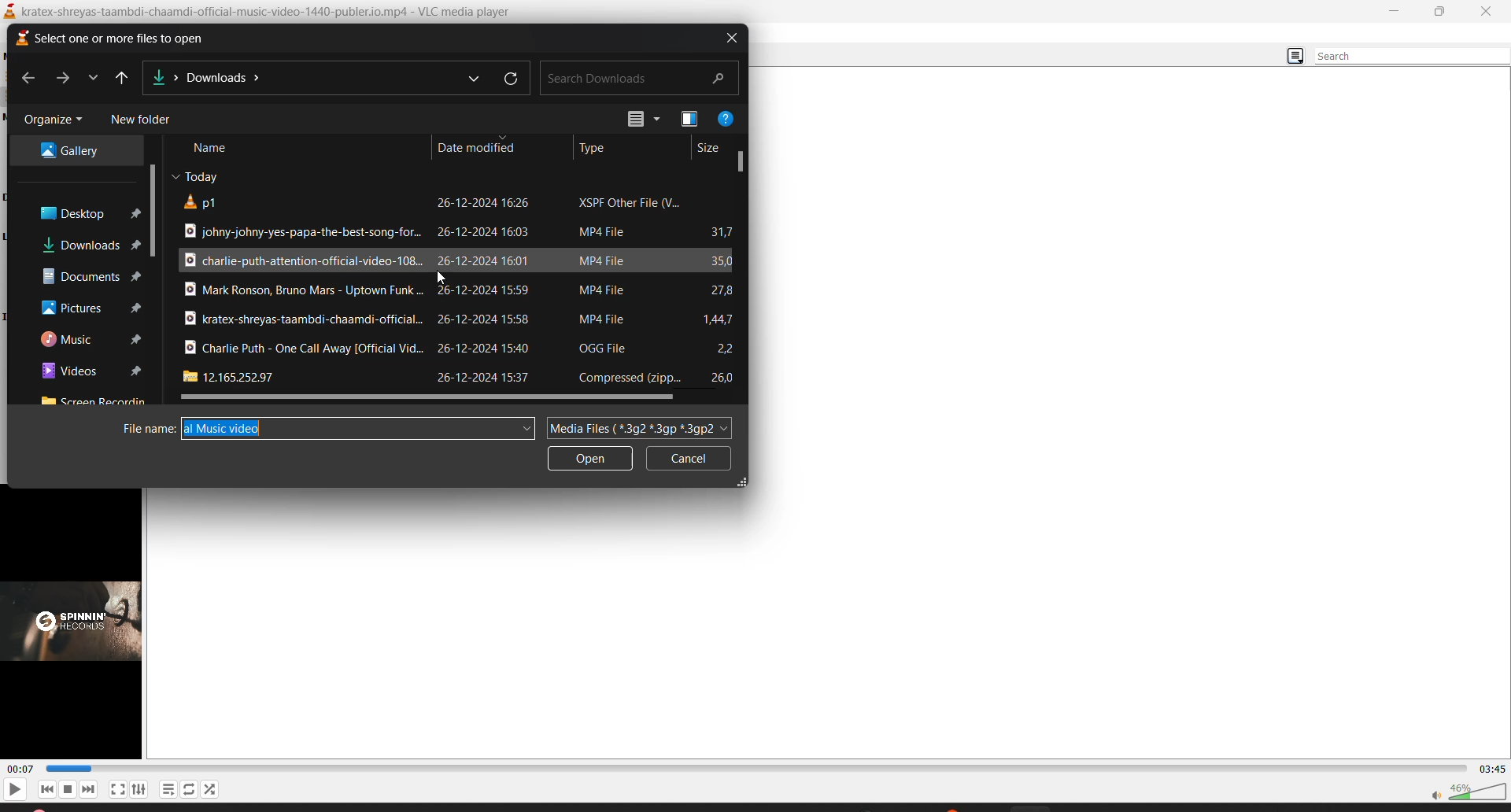 The width and height of the screenshot is (1511, 812). I want to click on previous, so click(26, 77).